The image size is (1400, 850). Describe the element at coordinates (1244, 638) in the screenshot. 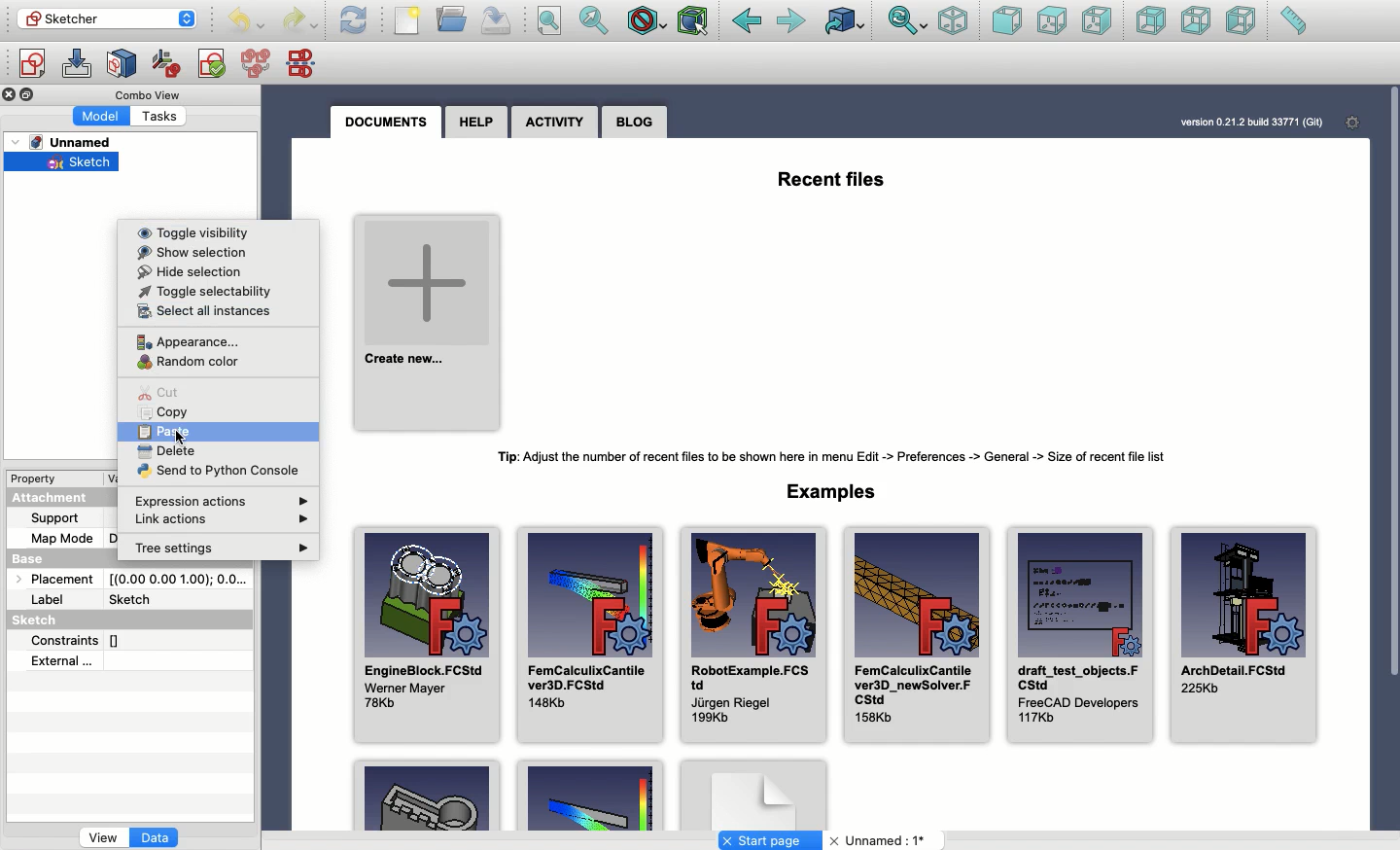

I see `ArchDetail` at that location.